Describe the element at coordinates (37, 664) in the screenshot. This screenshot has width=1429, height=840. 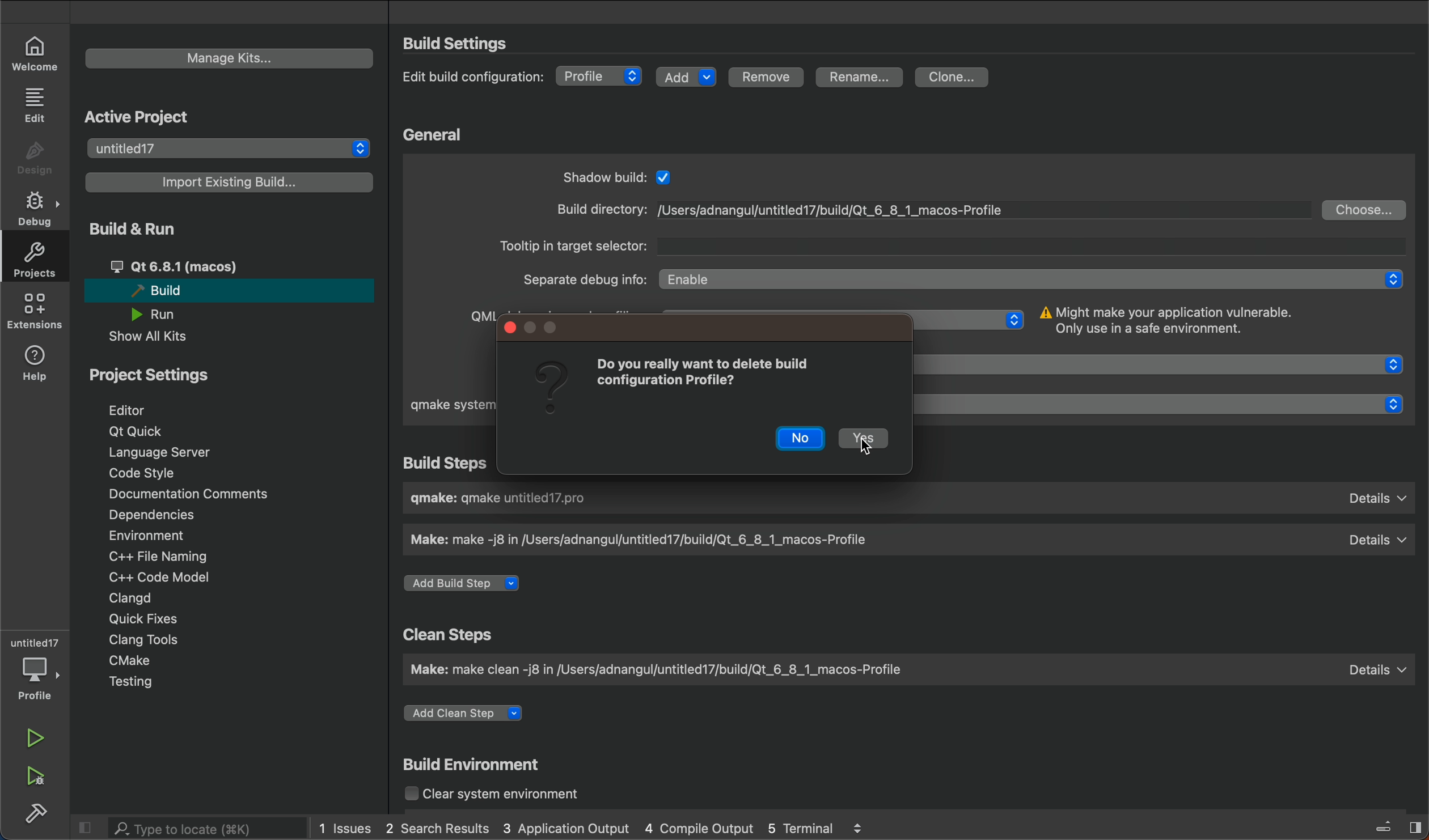
I see `debugger` at that location.